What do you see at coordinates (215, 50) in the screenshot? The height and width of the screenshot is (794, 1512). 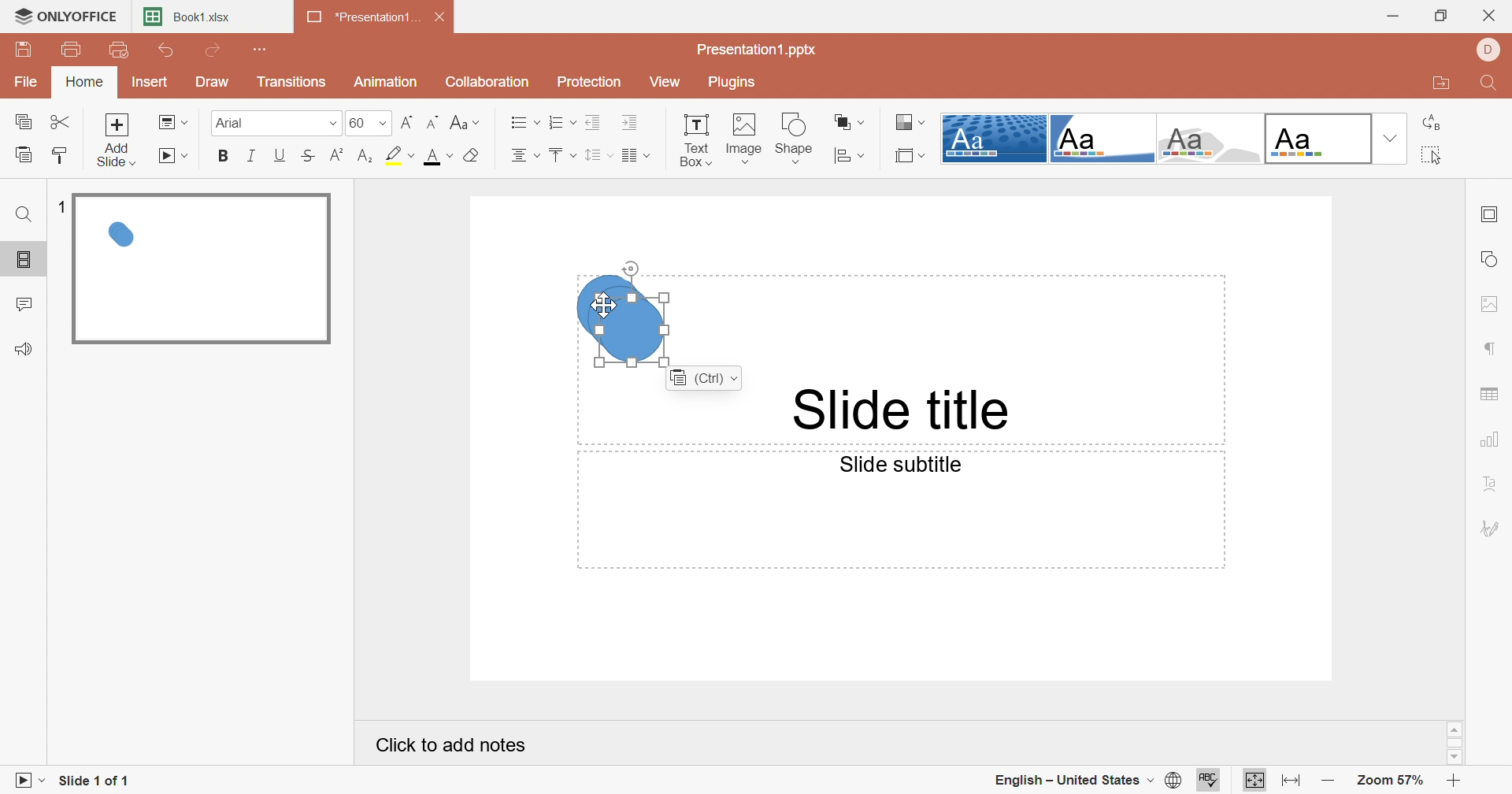 I see `Redo` at bounding box center [215, 50].